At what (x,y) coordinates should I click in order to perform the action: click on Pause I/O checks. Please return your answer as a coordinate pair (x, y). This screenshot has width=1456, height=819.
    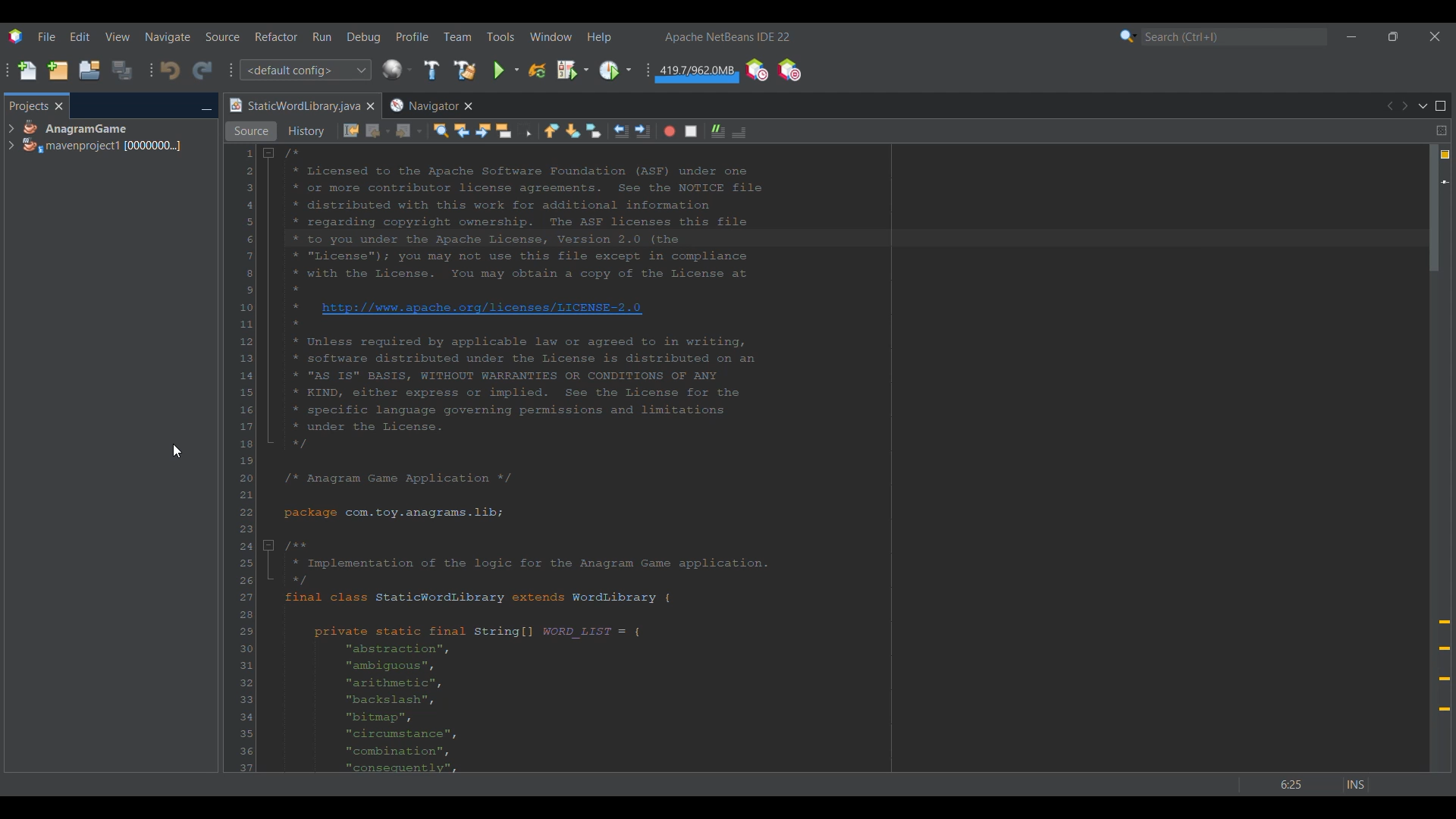
    Looking at the image, I should click on (789, 70).